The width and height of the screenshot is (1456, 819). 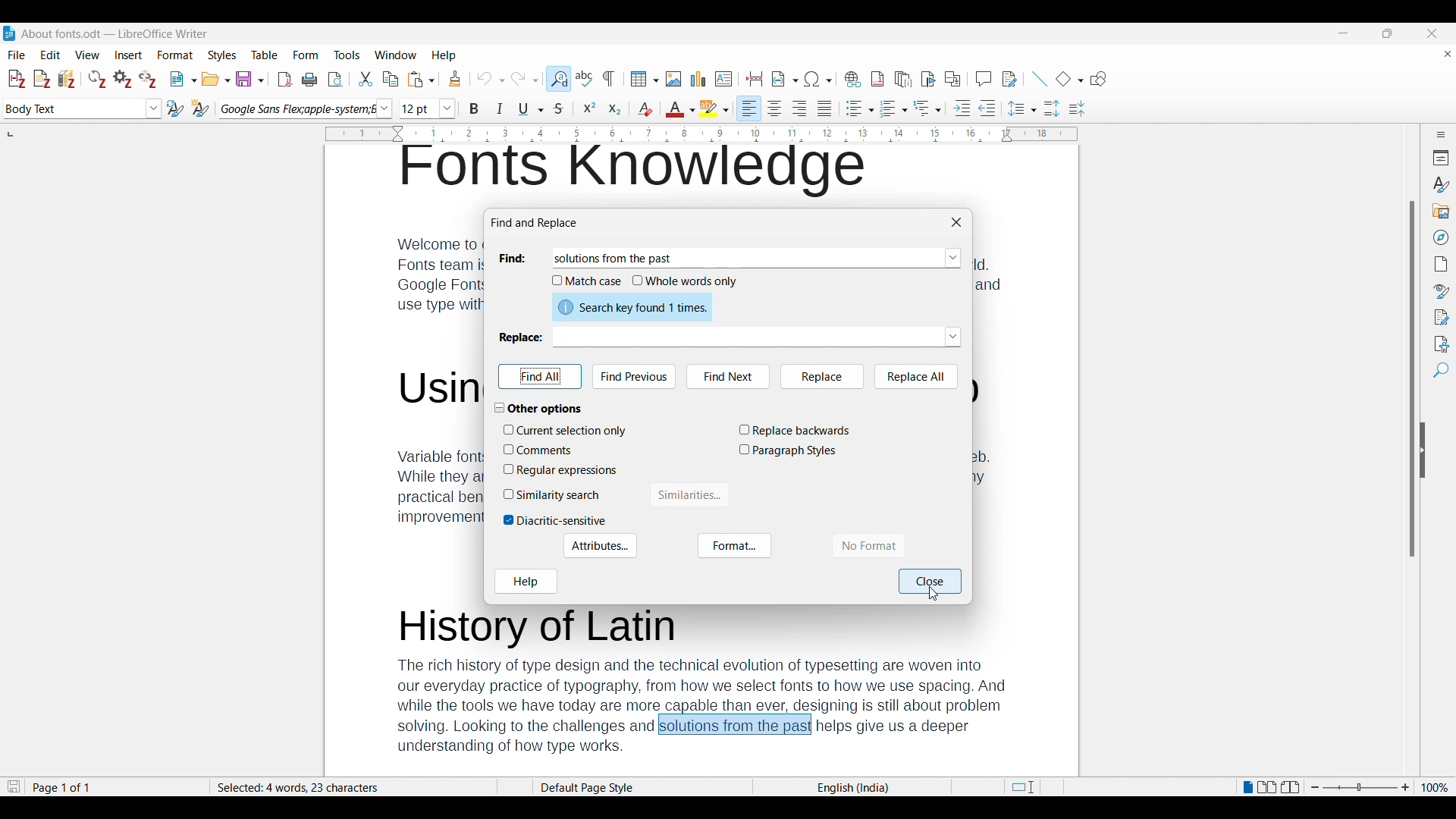 What do you see at coordinates (384, 108) in the screenshot?
I see `Font options` at bounding box center [384, 108].